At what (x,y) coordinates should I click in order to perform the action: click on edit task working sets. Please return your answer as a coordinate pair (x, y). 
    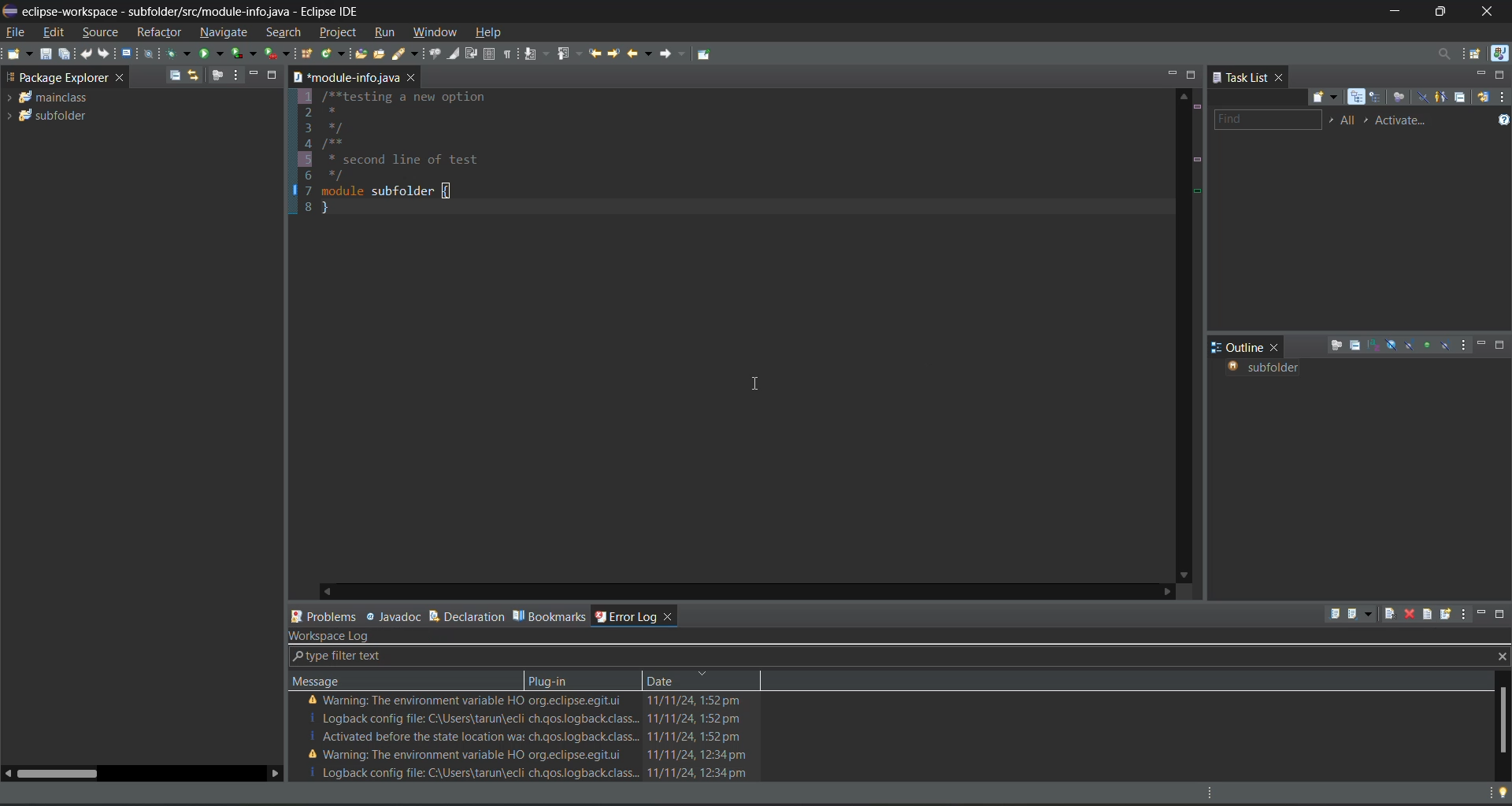
    Looking at the image, I should click on (1349, 121).